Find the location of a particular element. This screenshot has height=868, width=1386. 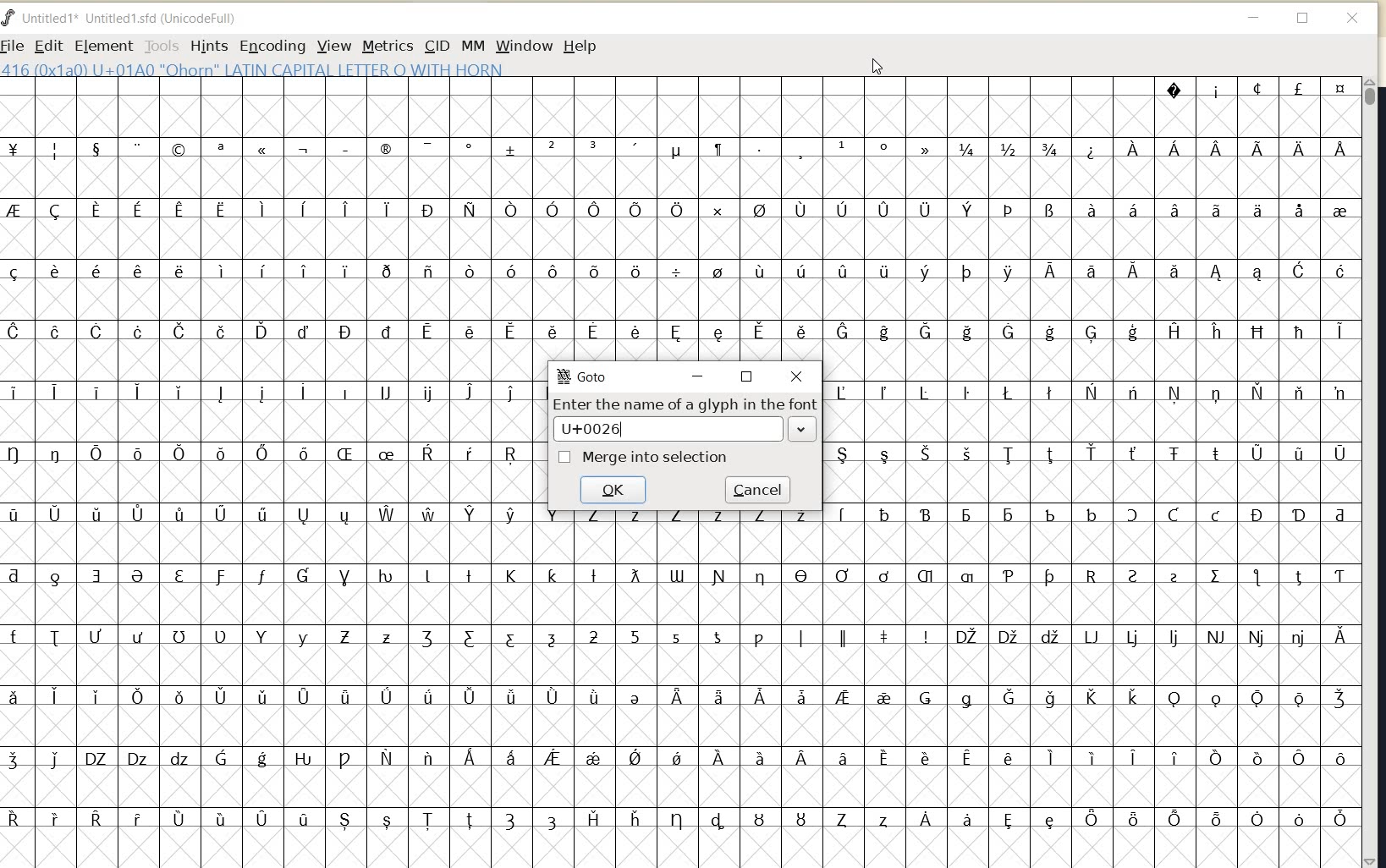

minimize is located at coordinates (698, 376).